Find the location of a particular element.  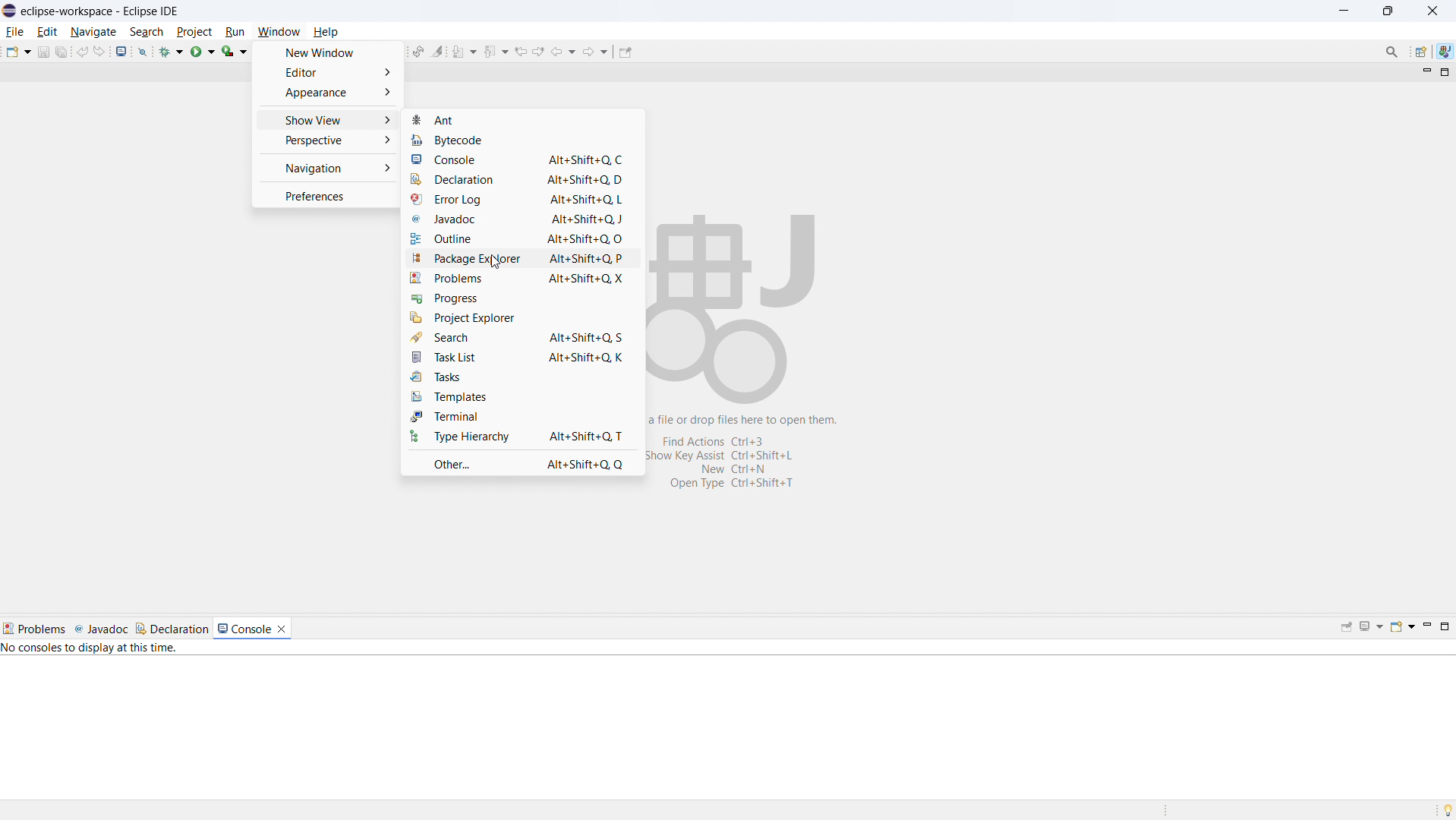

toggle ant editor auto reconcile is located at coordinates (418, 51).